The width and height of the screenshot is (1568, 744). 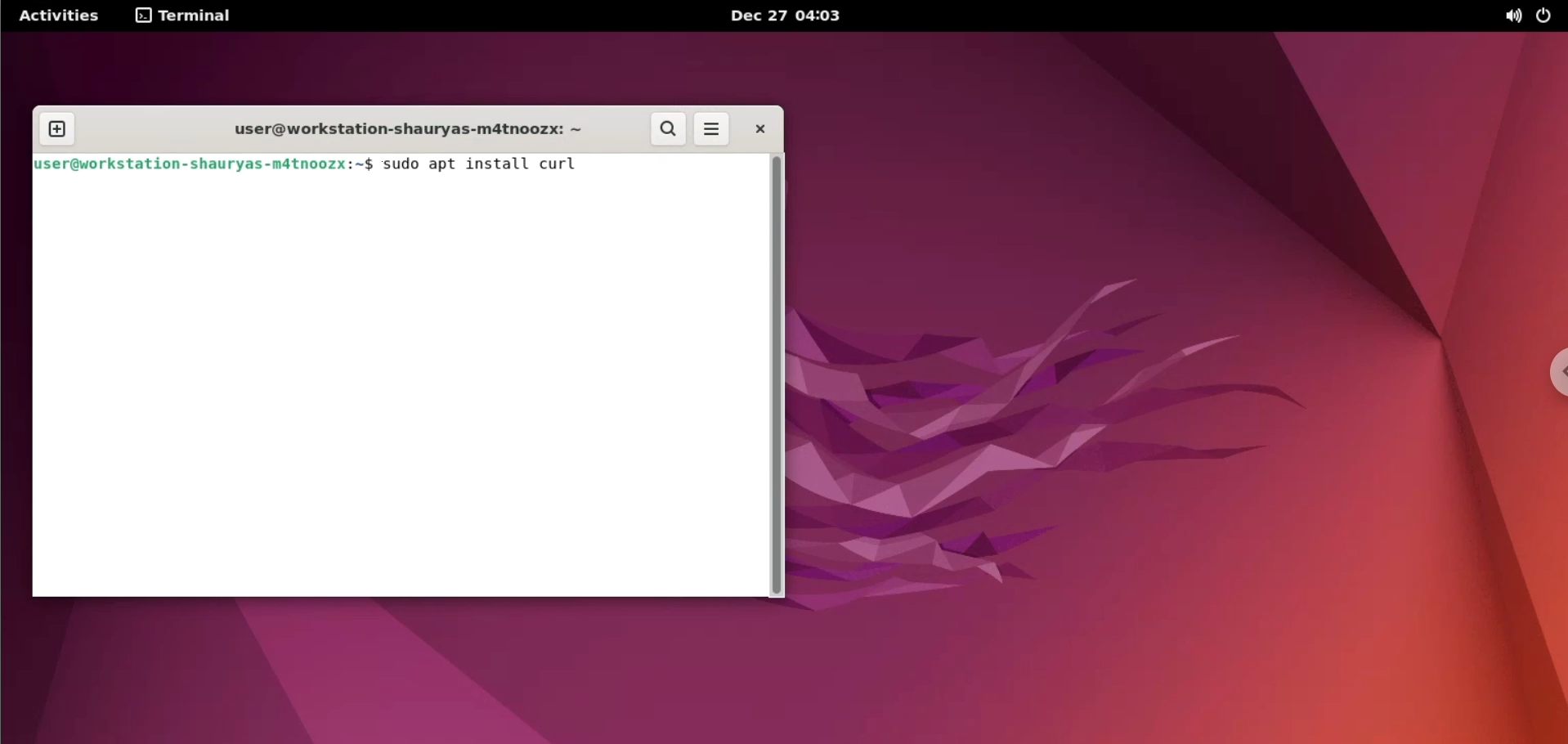 What do you see at coordinates (1548, 16) in the screenshot?
I see `power options` at bounding box center [1548, 16].